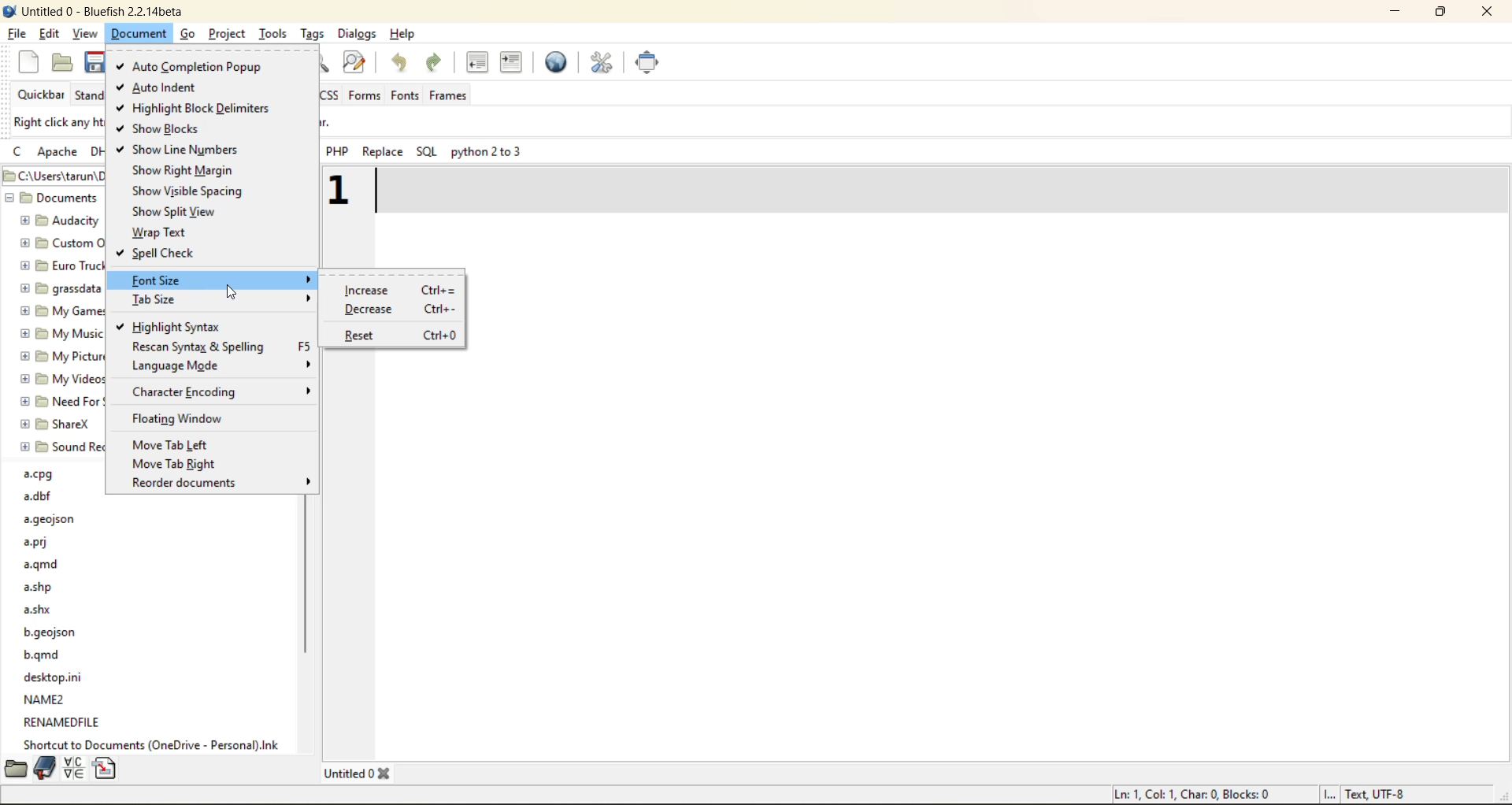  What do you see at coordinates (404, 35) in the screenshot?
I see `help` at bounding box center [404, 35].